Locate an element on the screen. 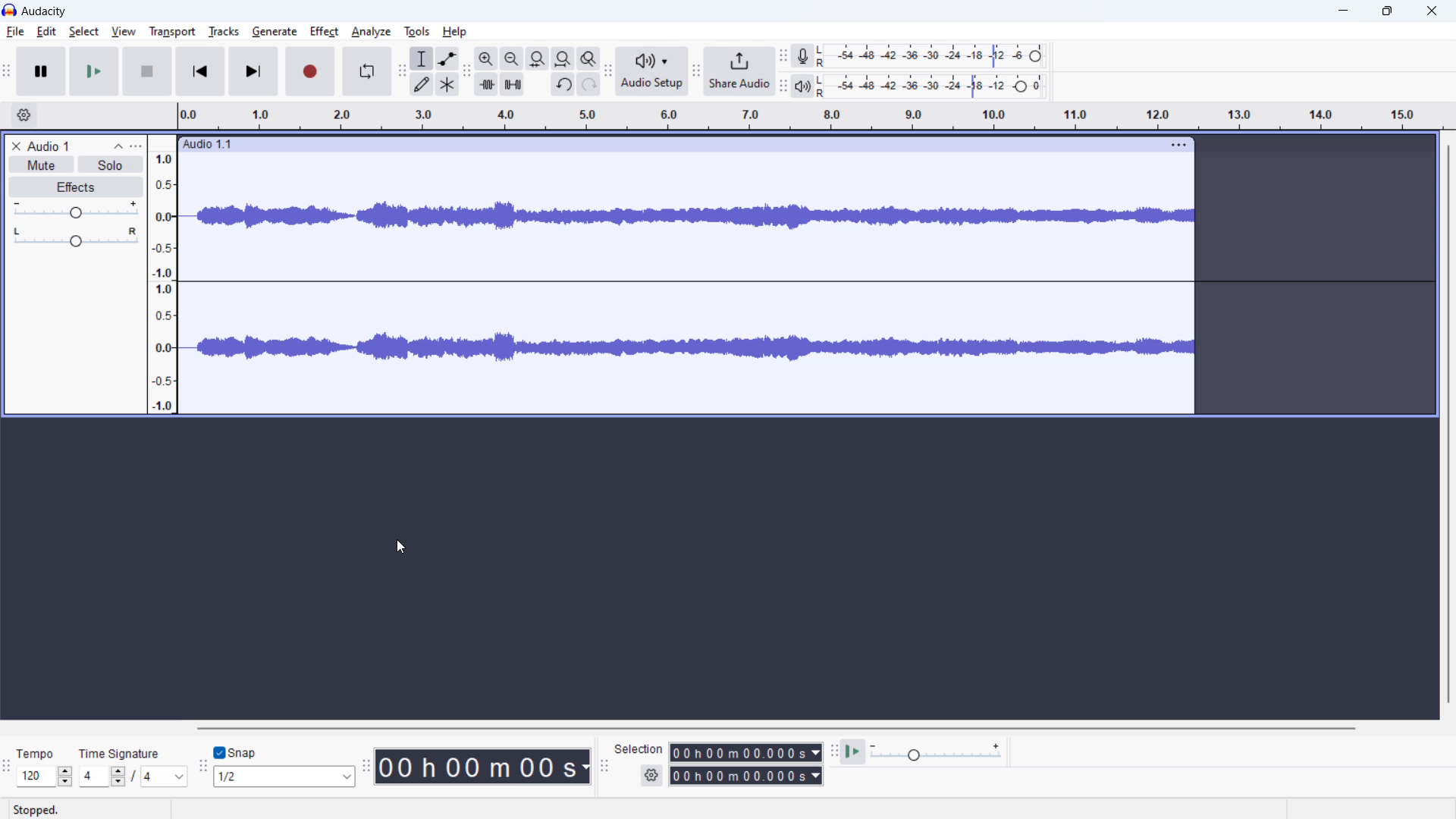  delete recording is located at coordinates (17, 146).